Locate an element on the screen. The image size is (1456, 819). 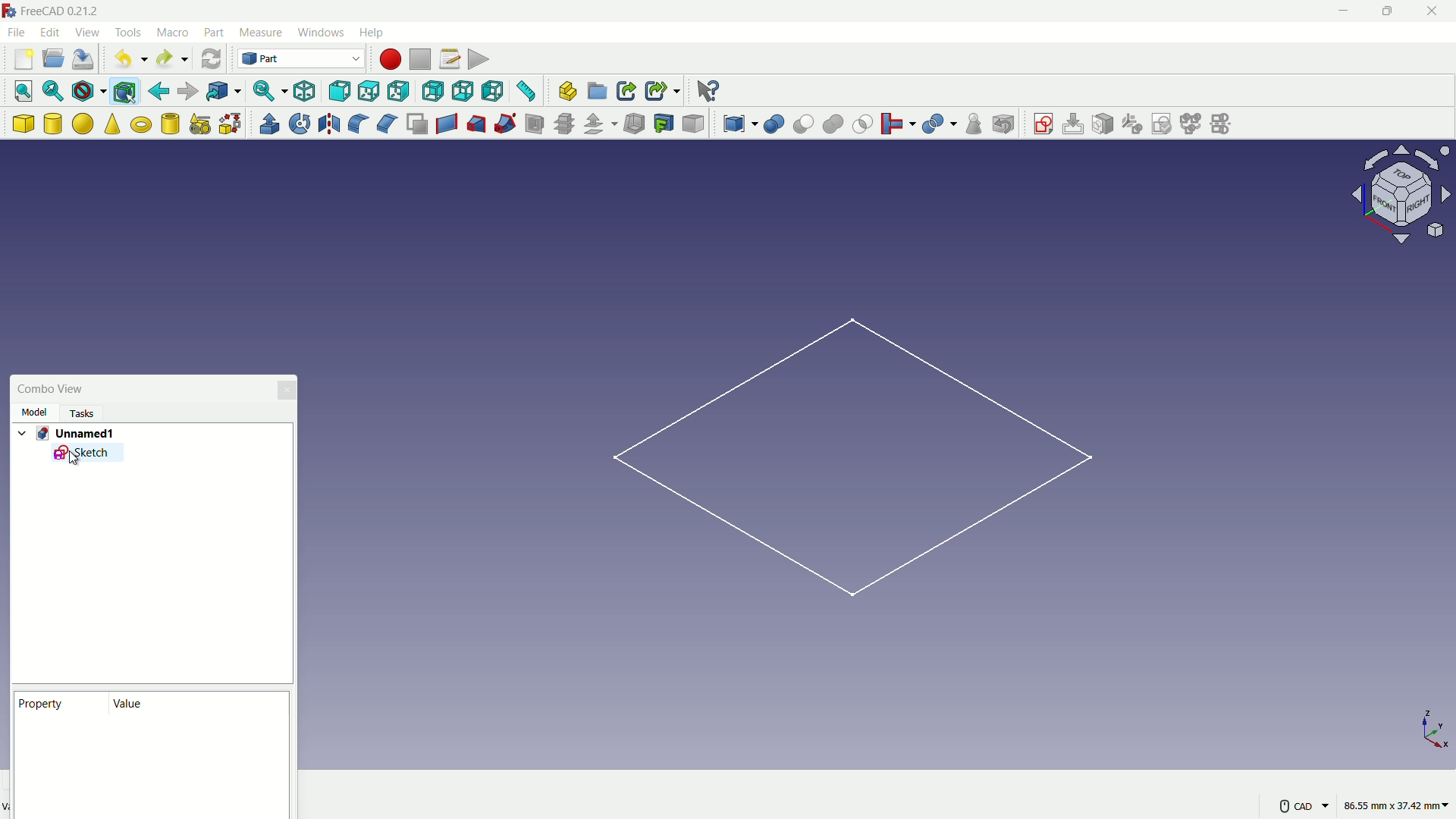
cube is located at coordinates (23, 124).